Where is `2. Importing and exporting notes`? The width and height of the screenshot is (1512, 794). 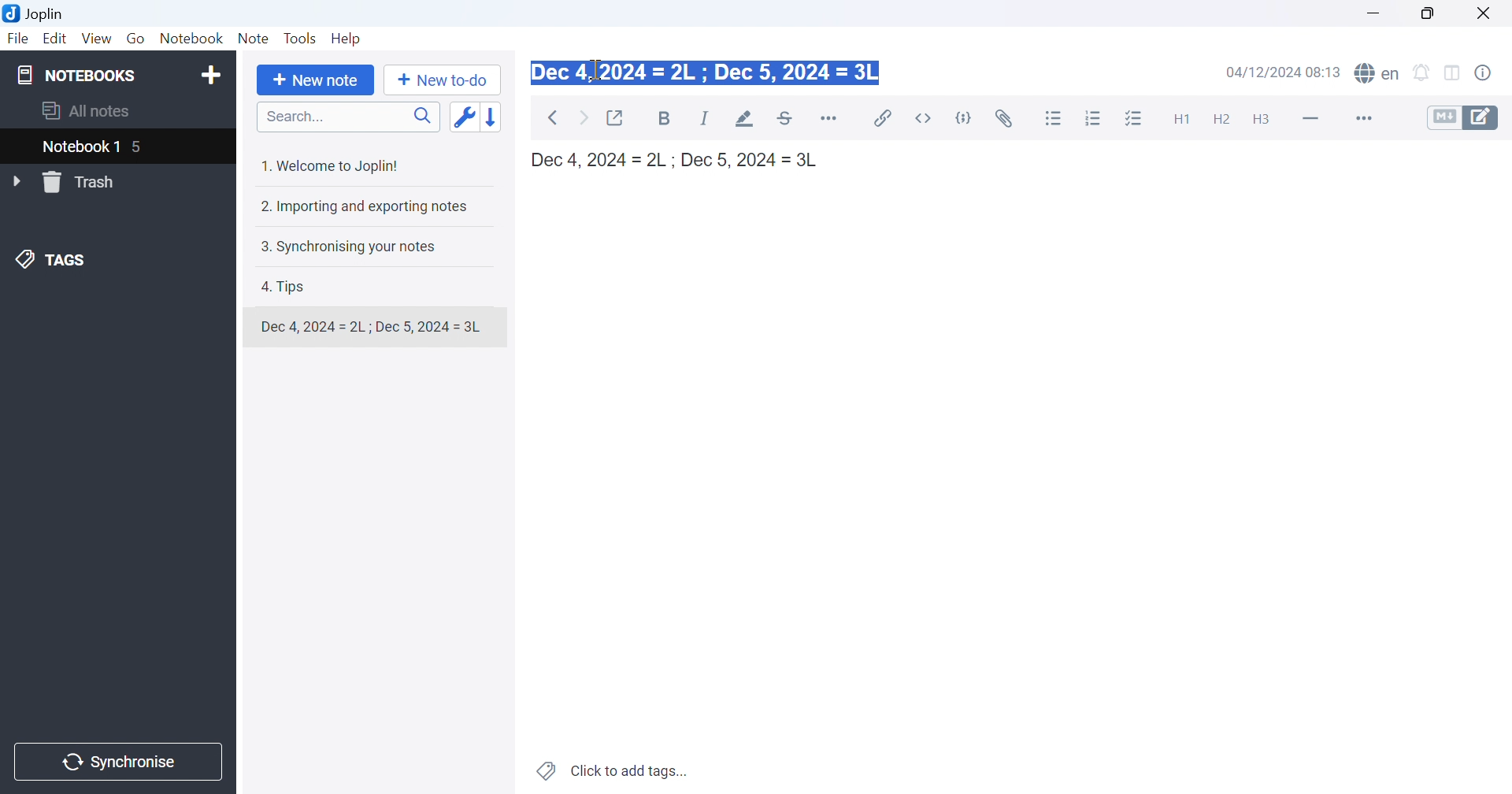 2. Importing and exporting notes is located at coordinates (367, 206).